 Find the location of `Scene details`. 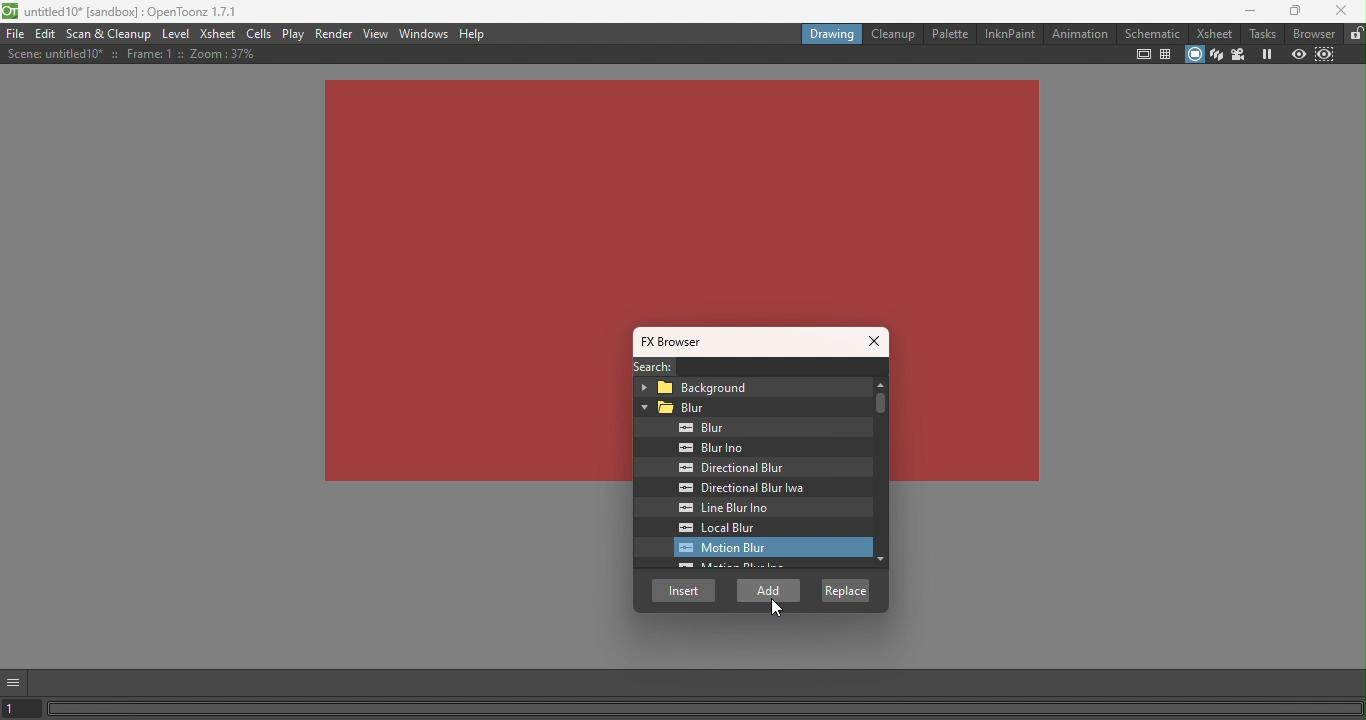

Scene details is located at coordinates (131, 54).